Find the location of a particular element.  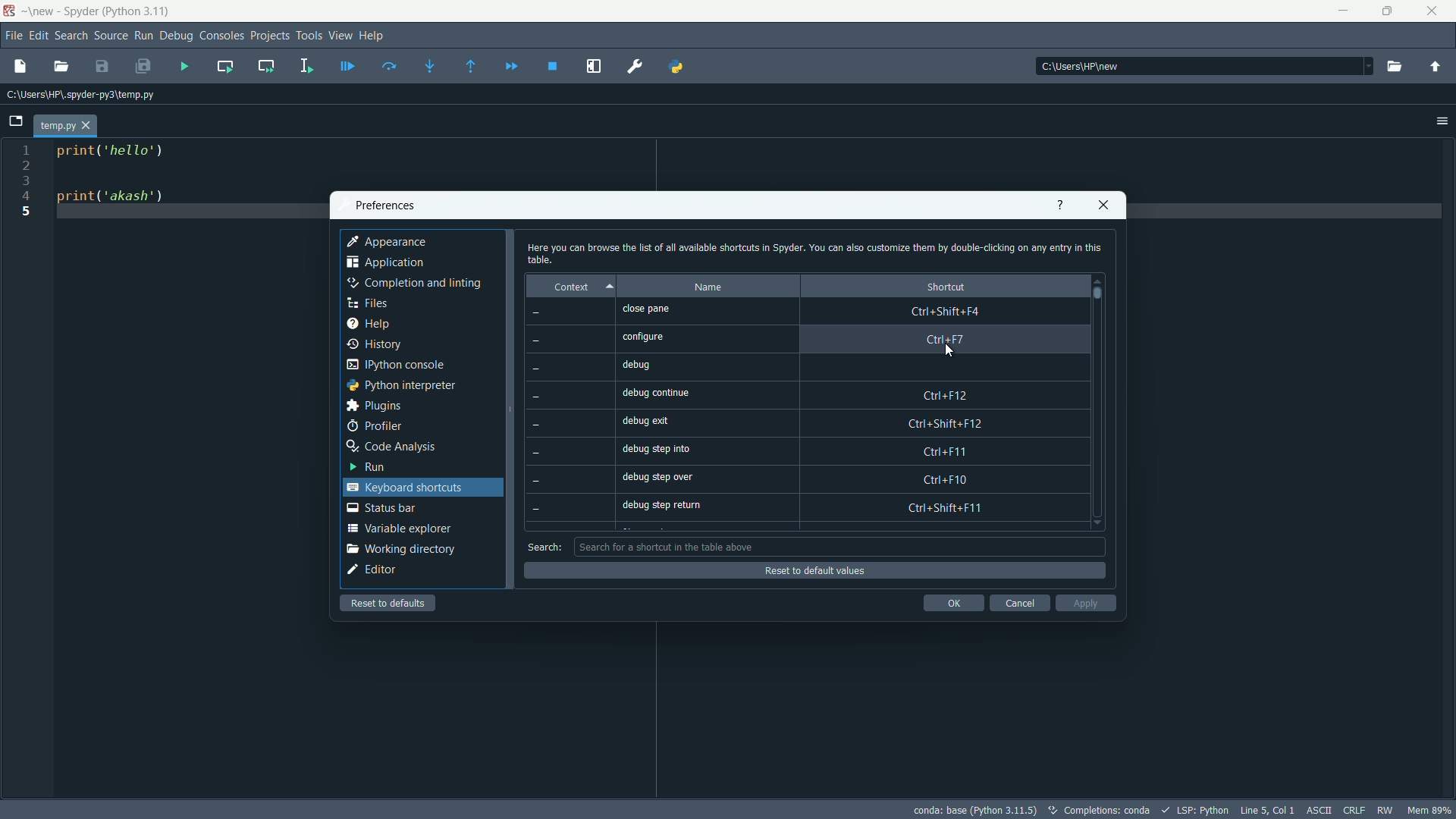

name is located at coordinates (707, 287).